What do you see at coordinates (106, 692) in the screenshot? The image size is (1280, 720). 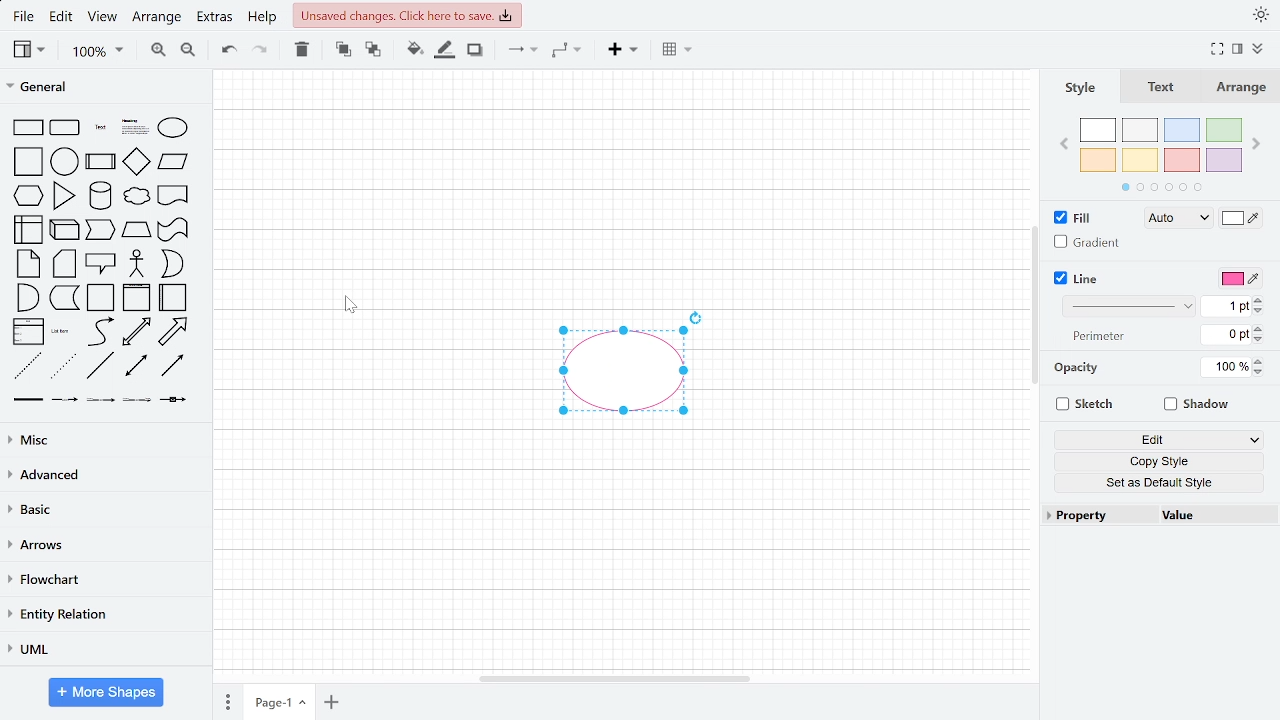 I see `More shapes` at bounding box center [106, 692].